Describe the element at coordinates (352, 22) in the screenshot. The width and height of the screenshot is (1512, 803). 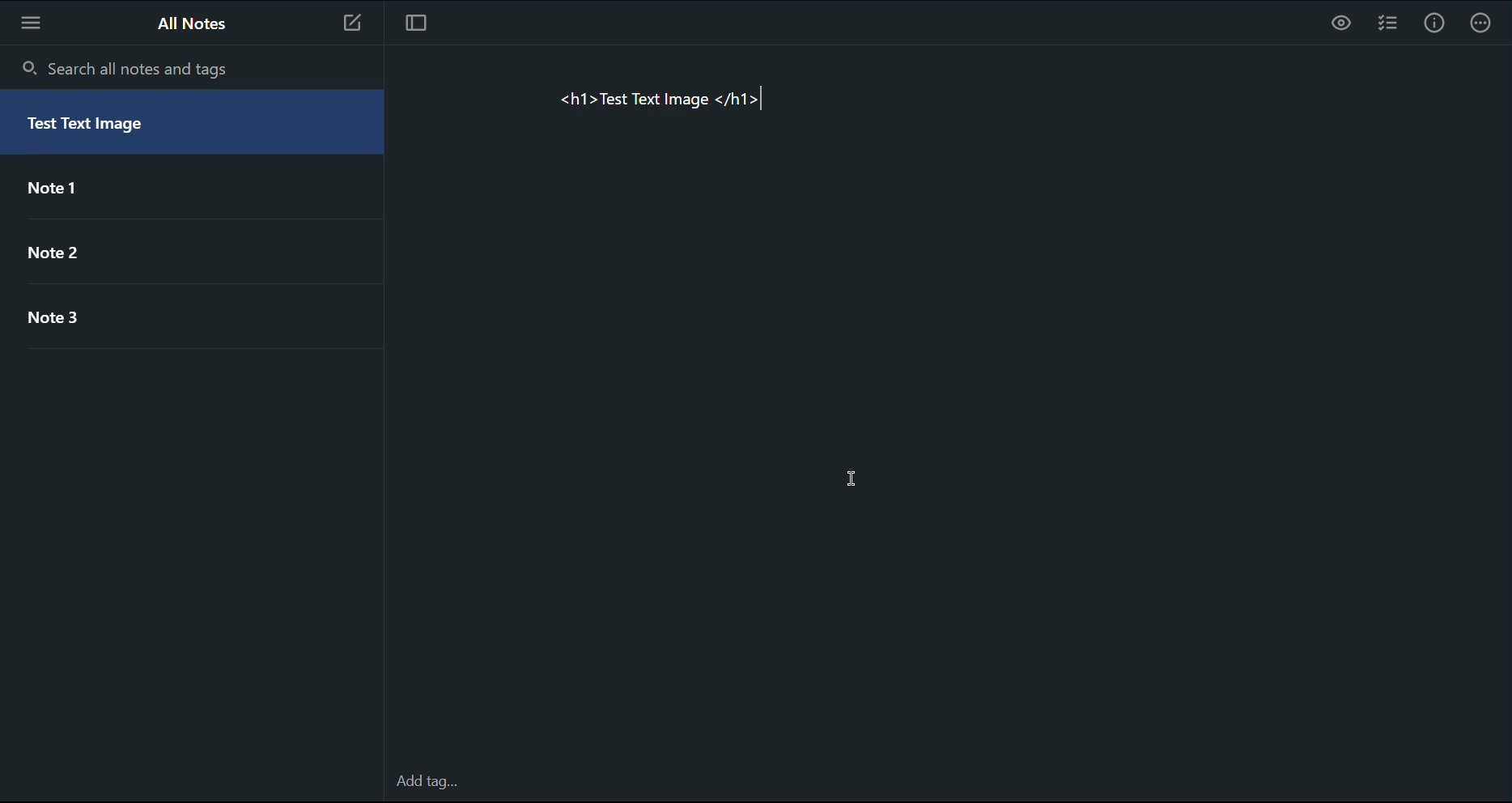
I see `New Note` at that location.